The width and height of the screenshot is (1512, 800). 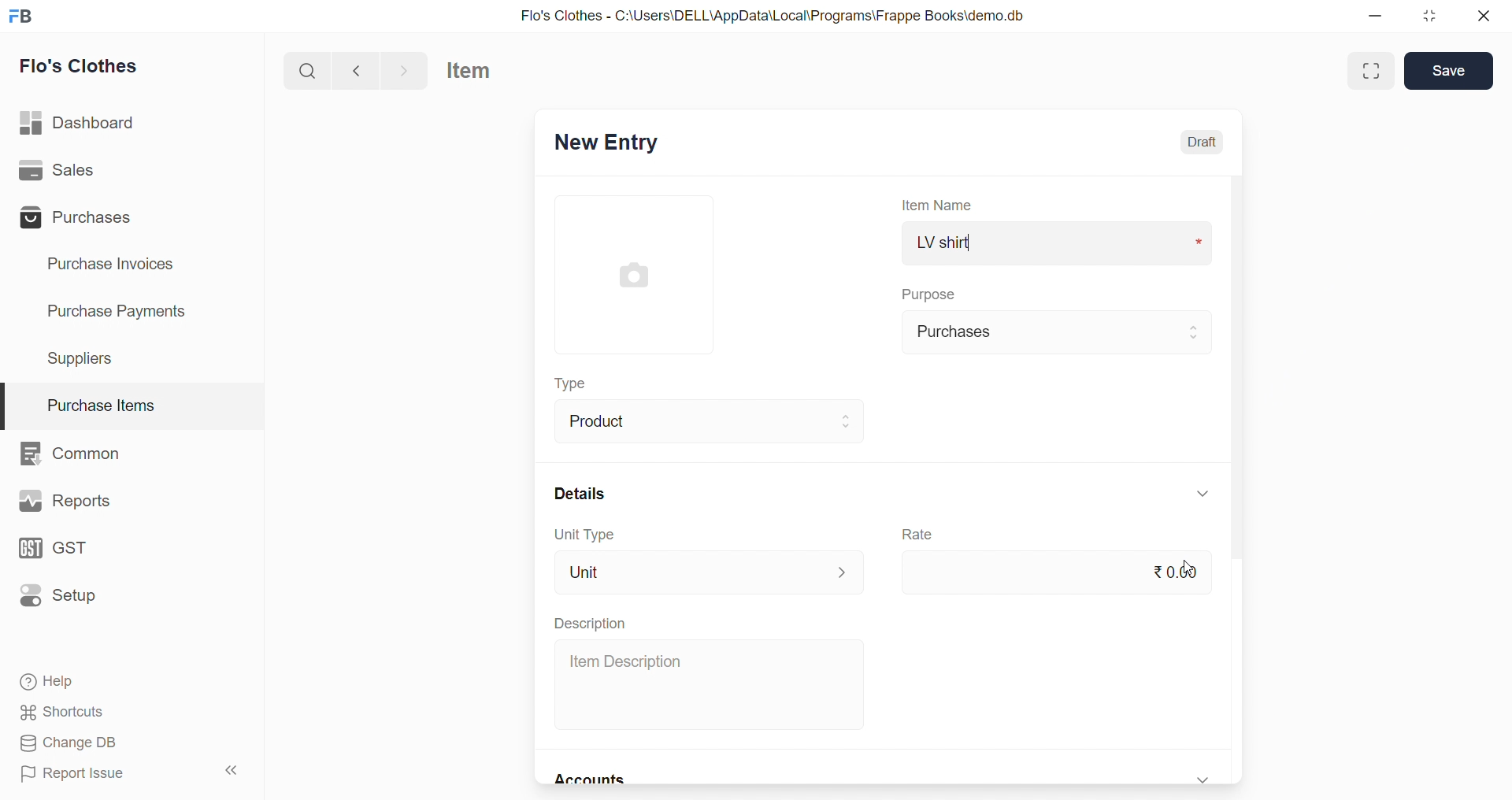 I want to click on Common, so click(x=79, y=452).